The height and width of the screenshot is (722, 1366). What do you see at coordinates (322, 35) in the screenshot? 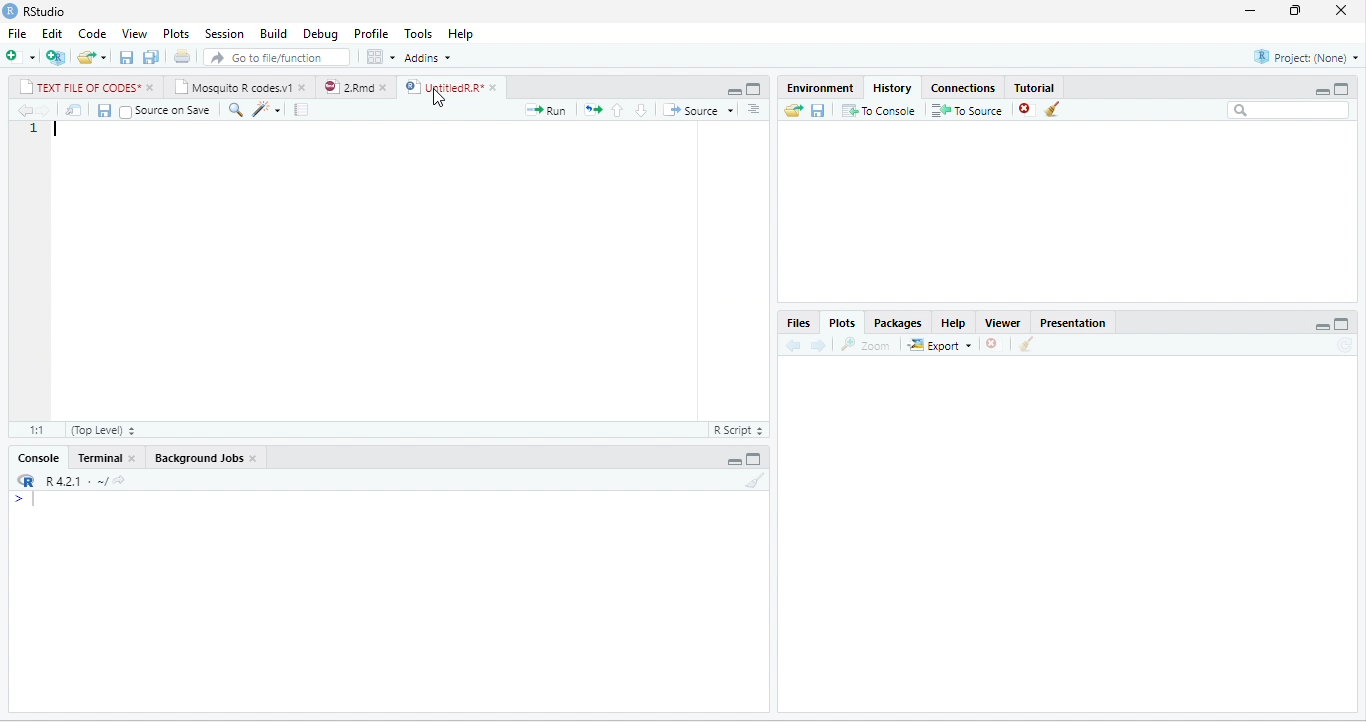
I see `Debug` at bounding box center [322, 35].